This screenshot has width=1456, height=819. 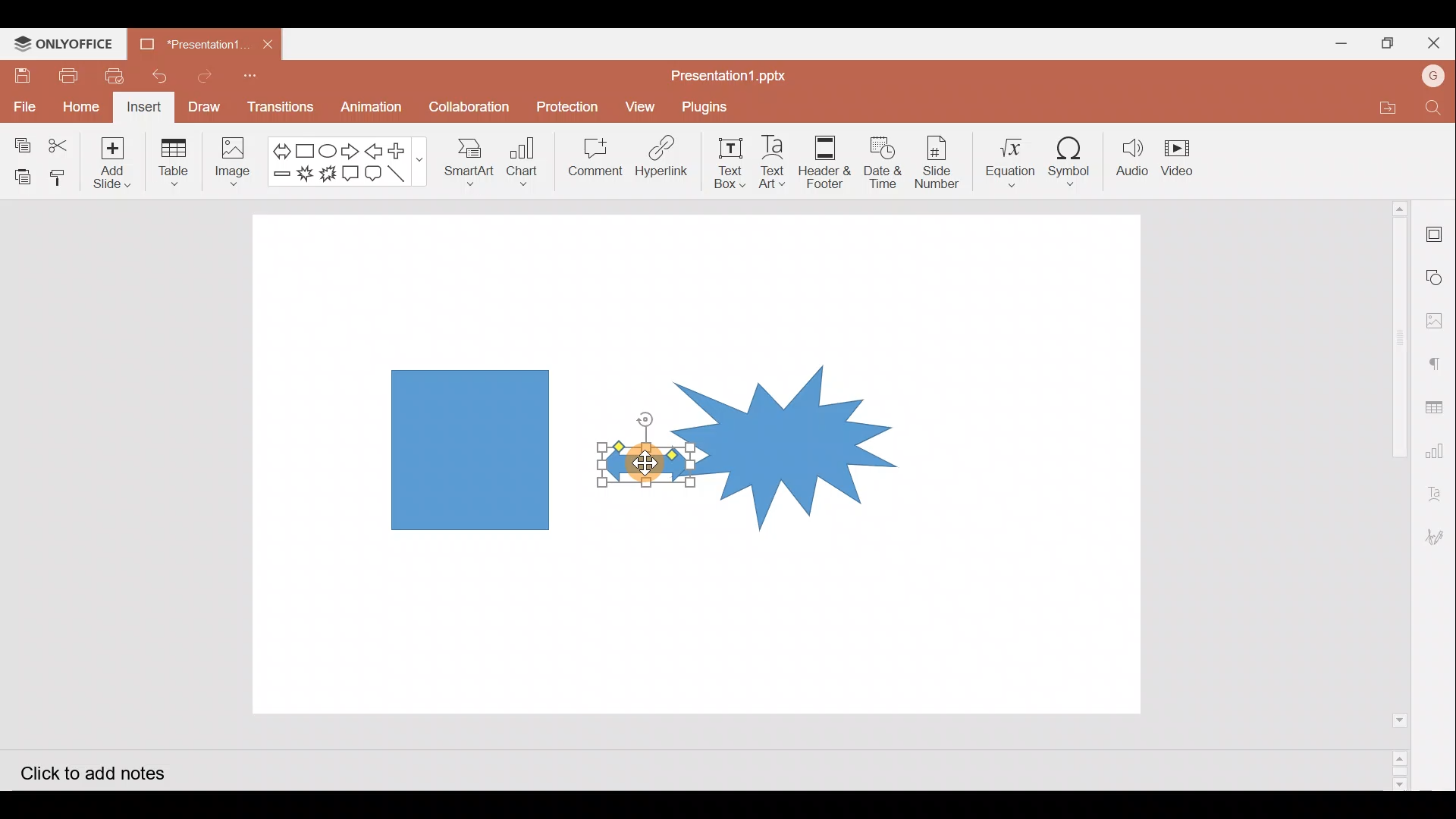 What do you see at coordinates (1436, 403) in the screenshot?
I see `Table settings` at bounding box center [1436, 403].